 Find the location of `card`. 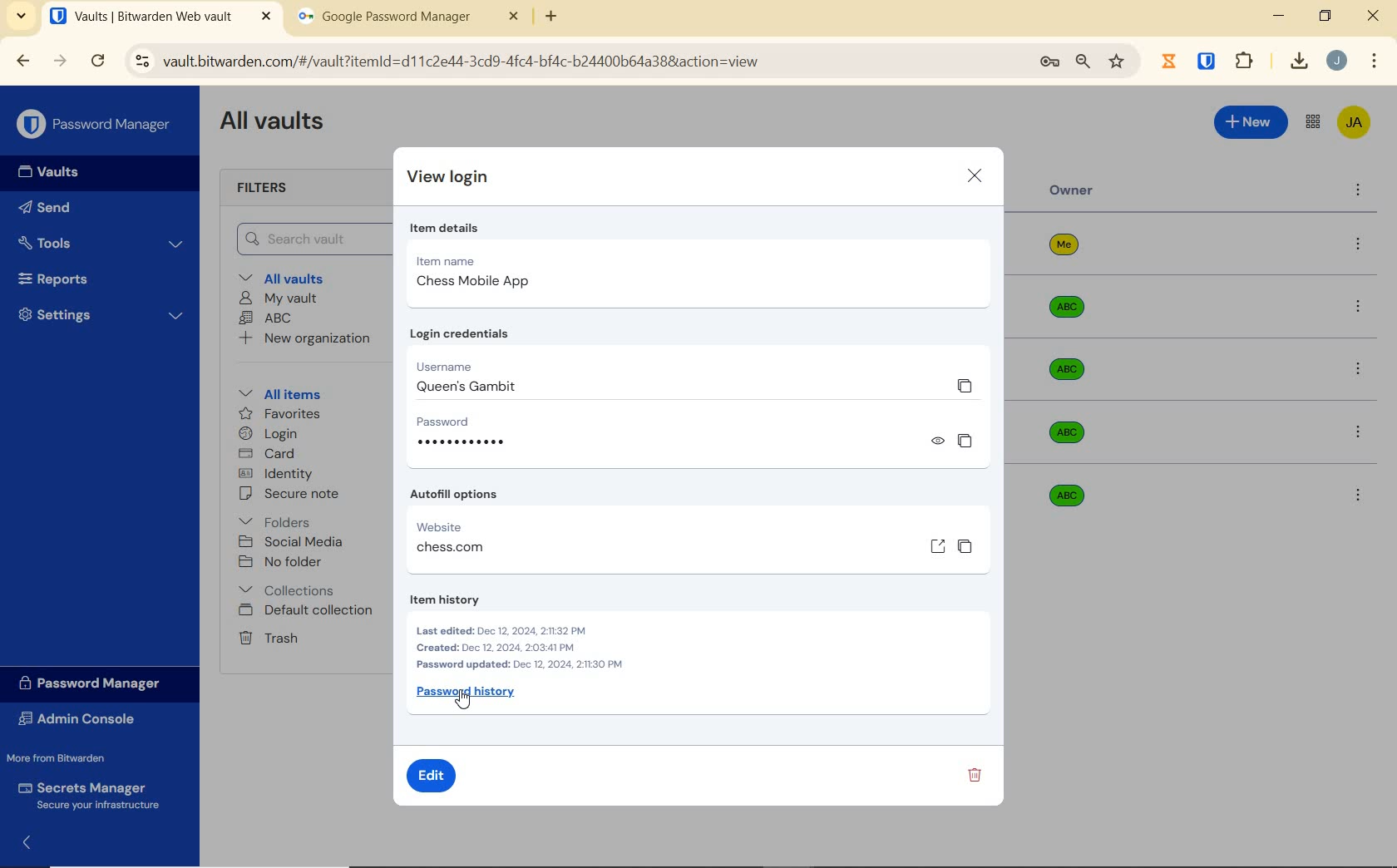

card is located at coordinates (269, 454).